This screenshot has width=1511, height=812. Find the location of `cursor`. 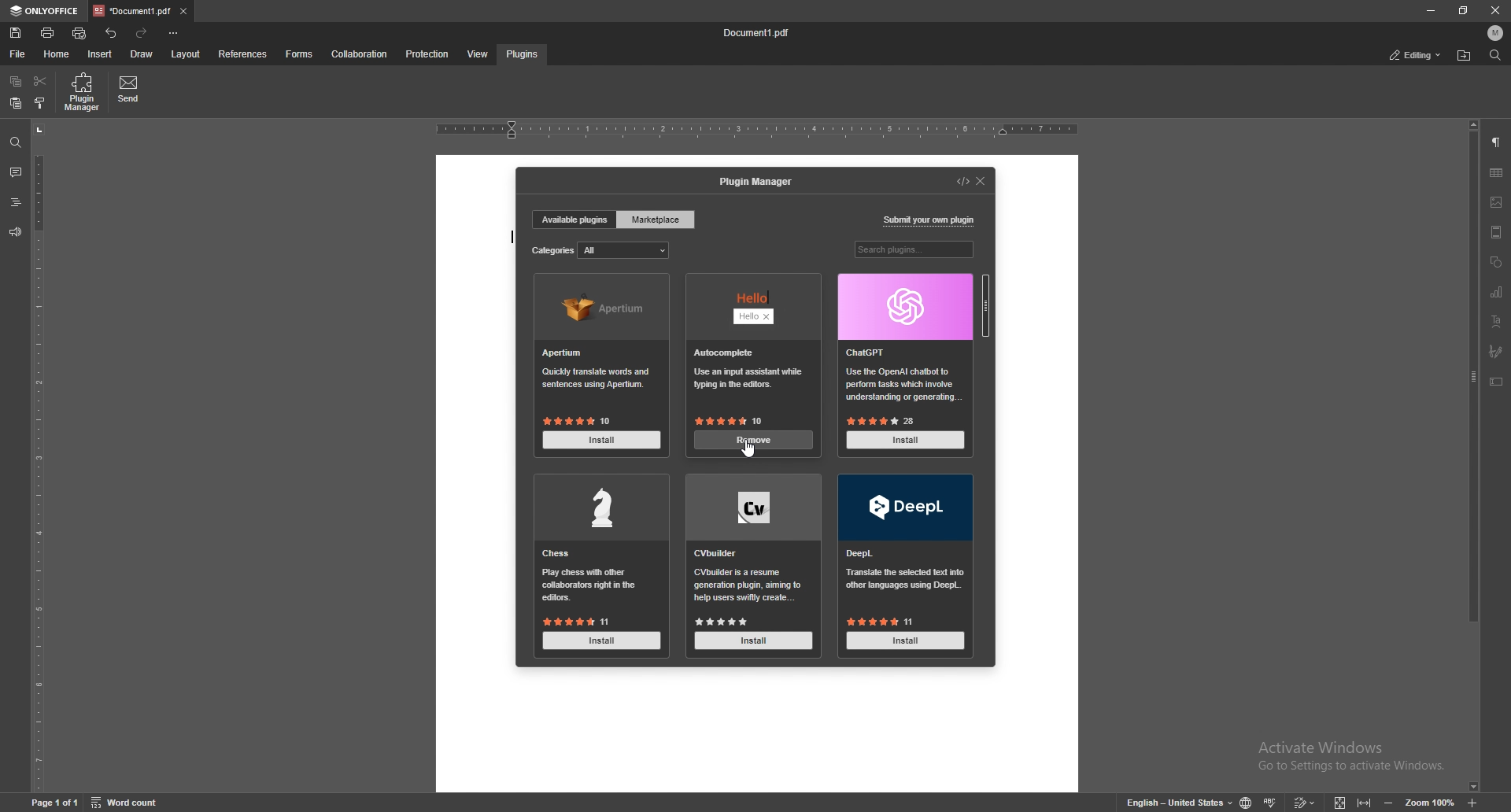

cursor is located at coordinates (752, 449).